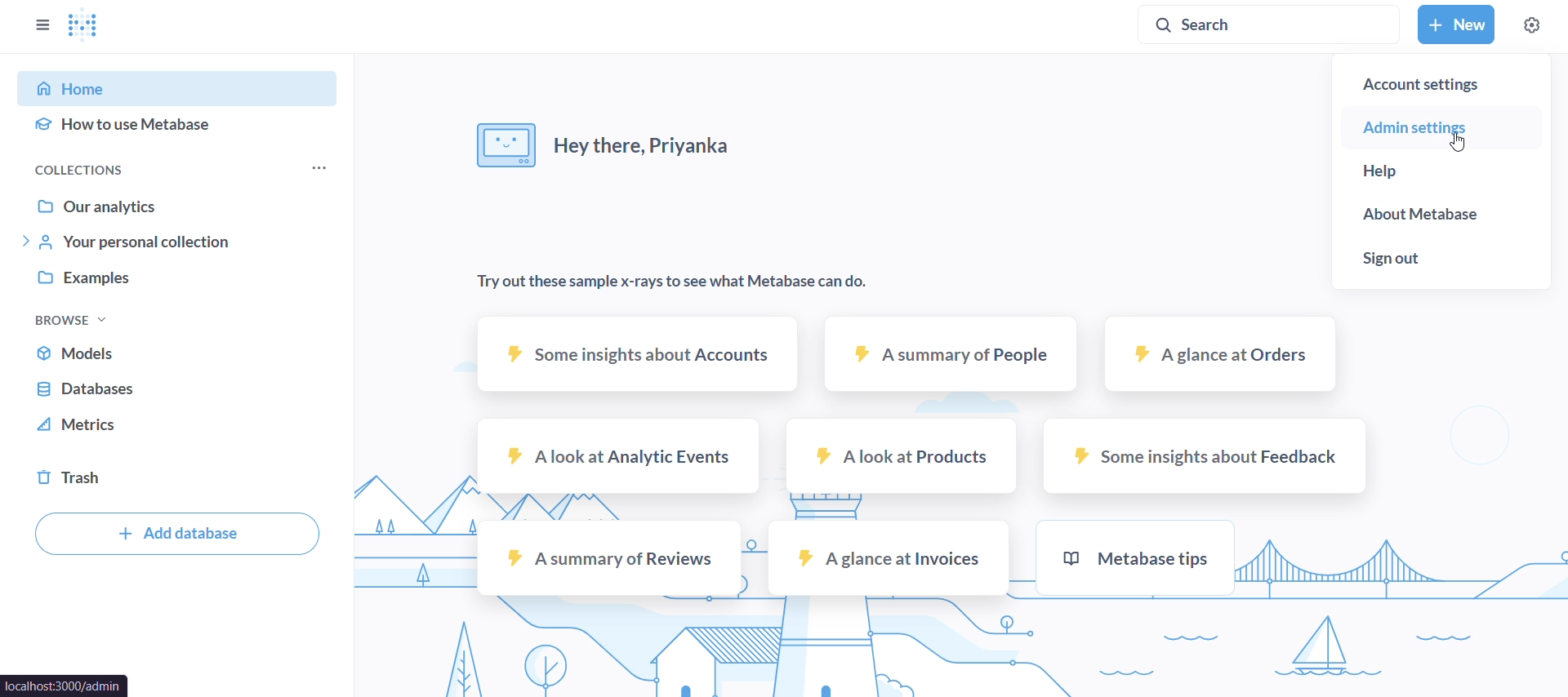 This screenshot has width=1568, height=697. What do you see at coordinates (1437, 263) in the screenshot?
I see `sign out` at bounding box center [1437, 263].